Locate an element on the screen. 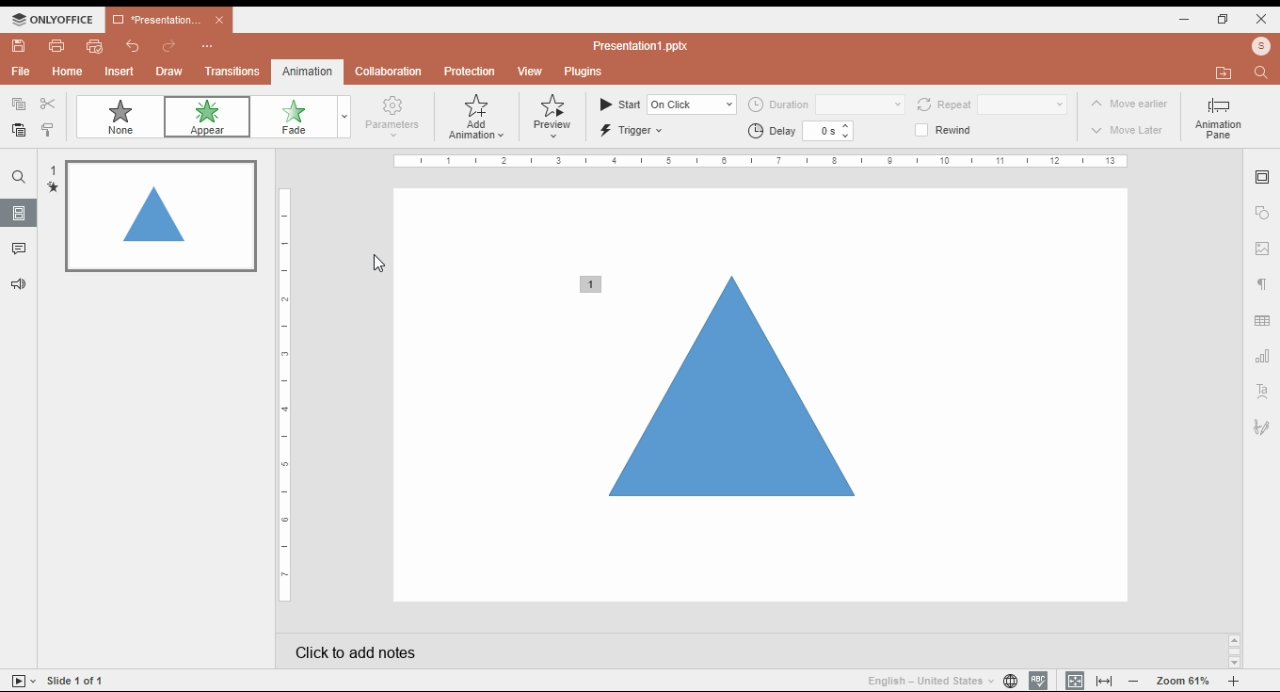  undo is located at coordinates (133, 46).